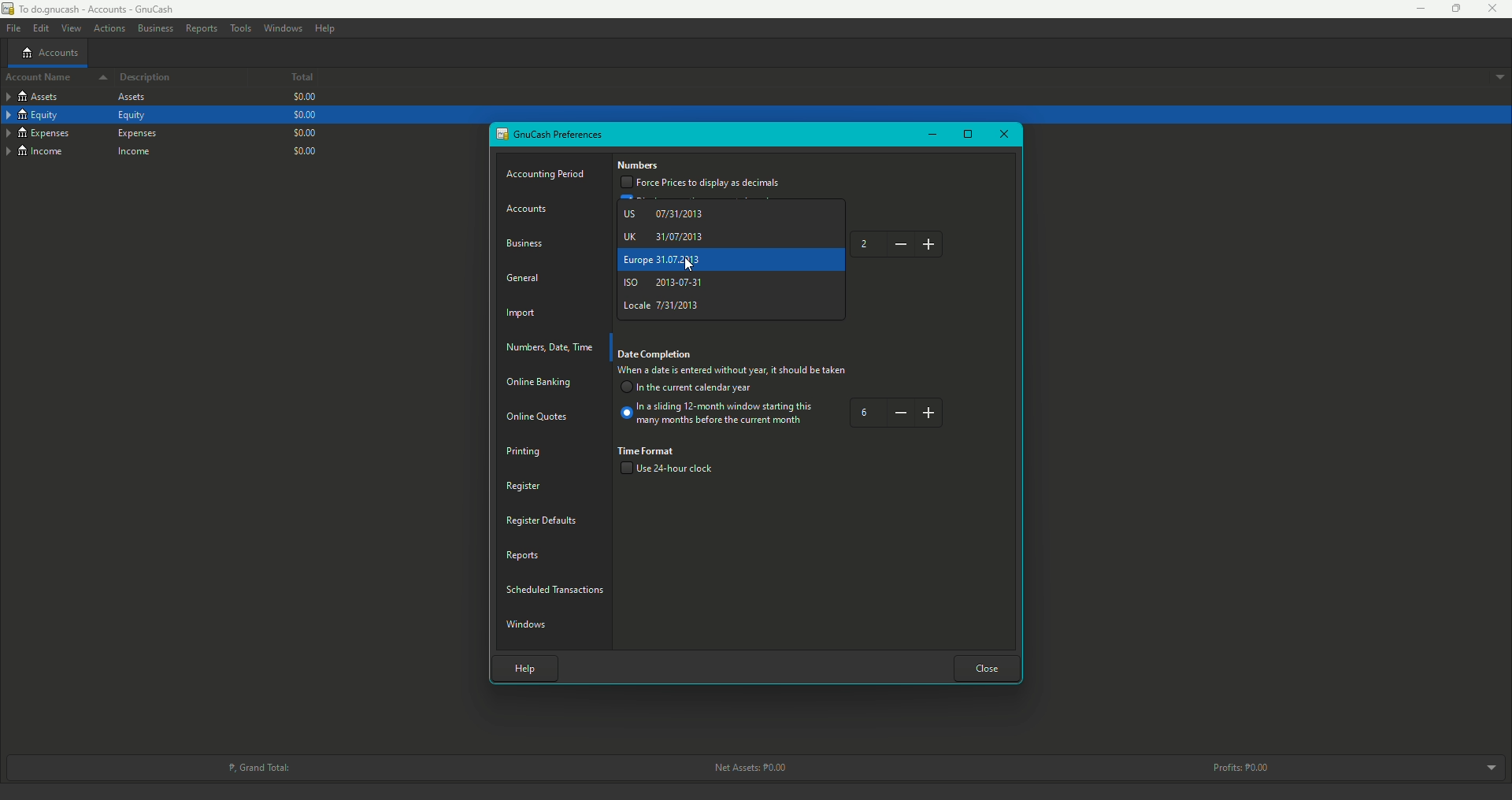 The image size is (1512, 800). Describe the element at coordinates (258, 766) in the screenshot. I see `Grand Total` at that location.